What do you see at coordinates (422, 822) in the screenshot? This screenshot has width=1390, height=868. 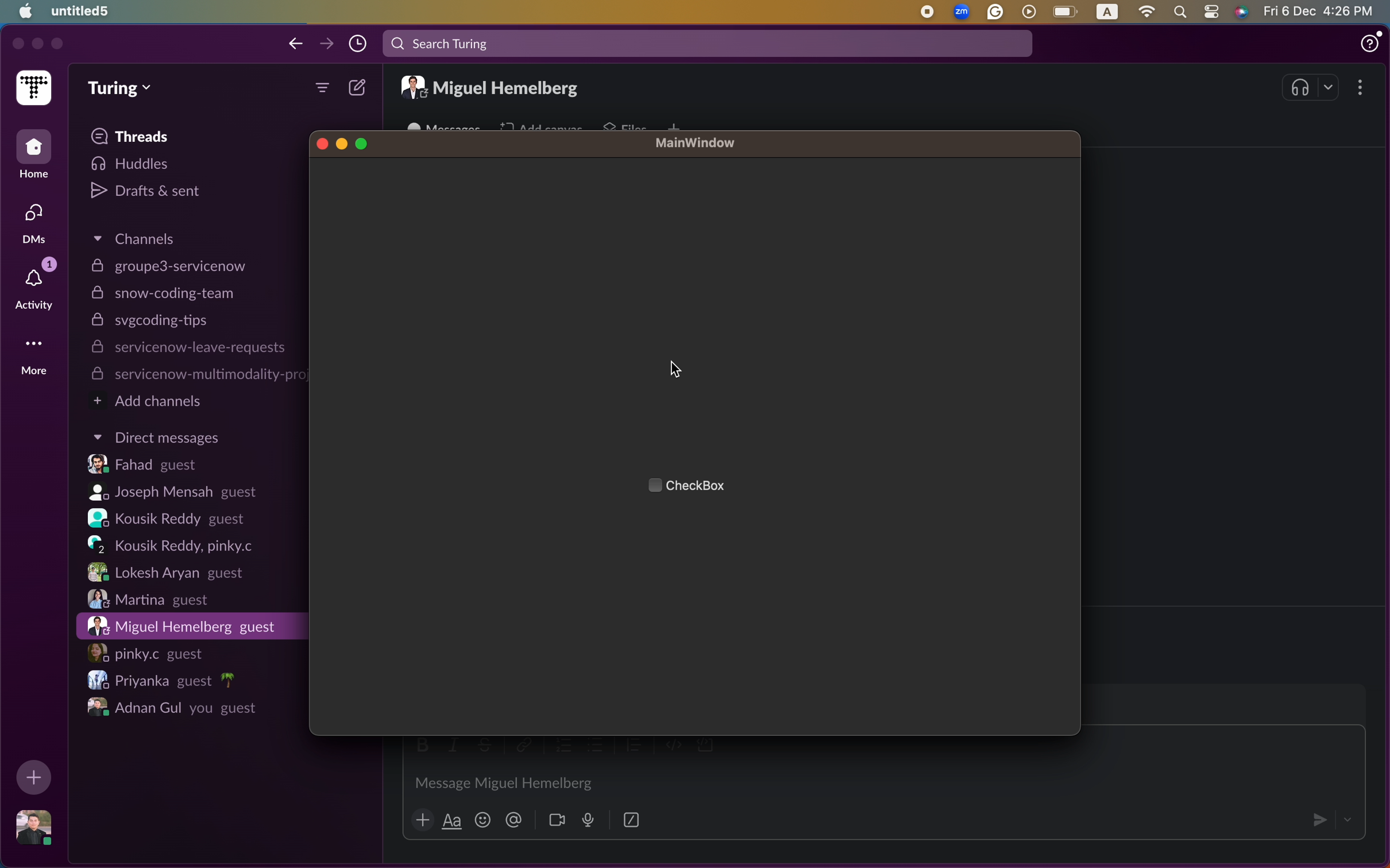 I see `add` at bounding box center [422, 822].